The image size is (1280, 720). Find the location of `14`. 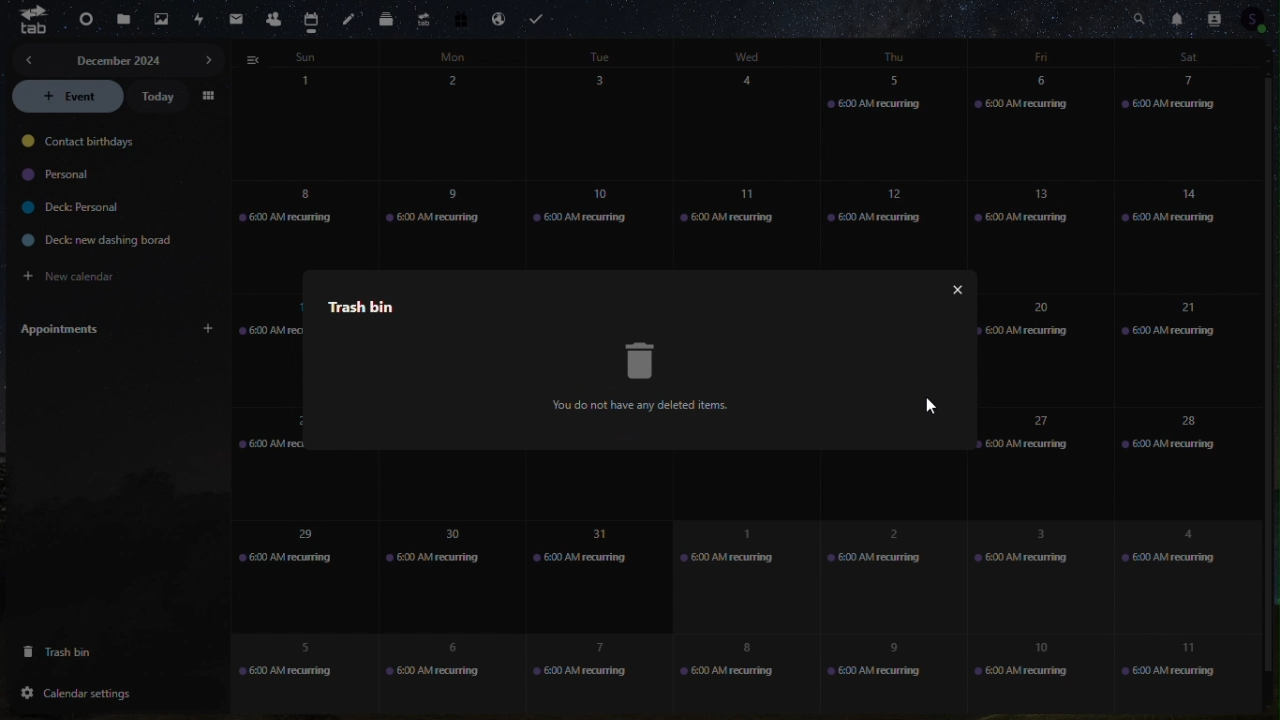

14 is located at coordinates (1189, 235).